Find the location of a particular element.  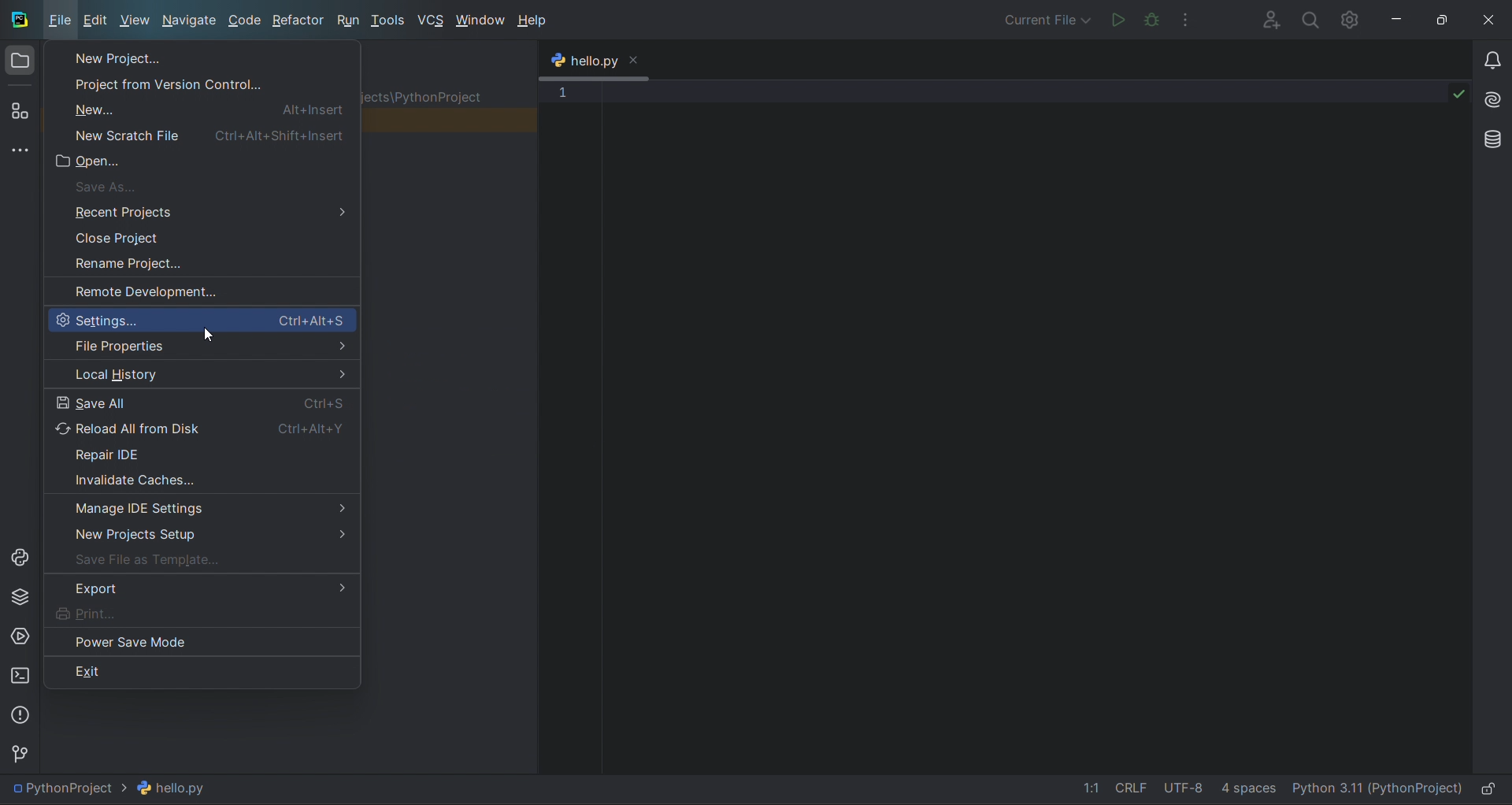

invalidate cache is located at coordinates (206, 478).